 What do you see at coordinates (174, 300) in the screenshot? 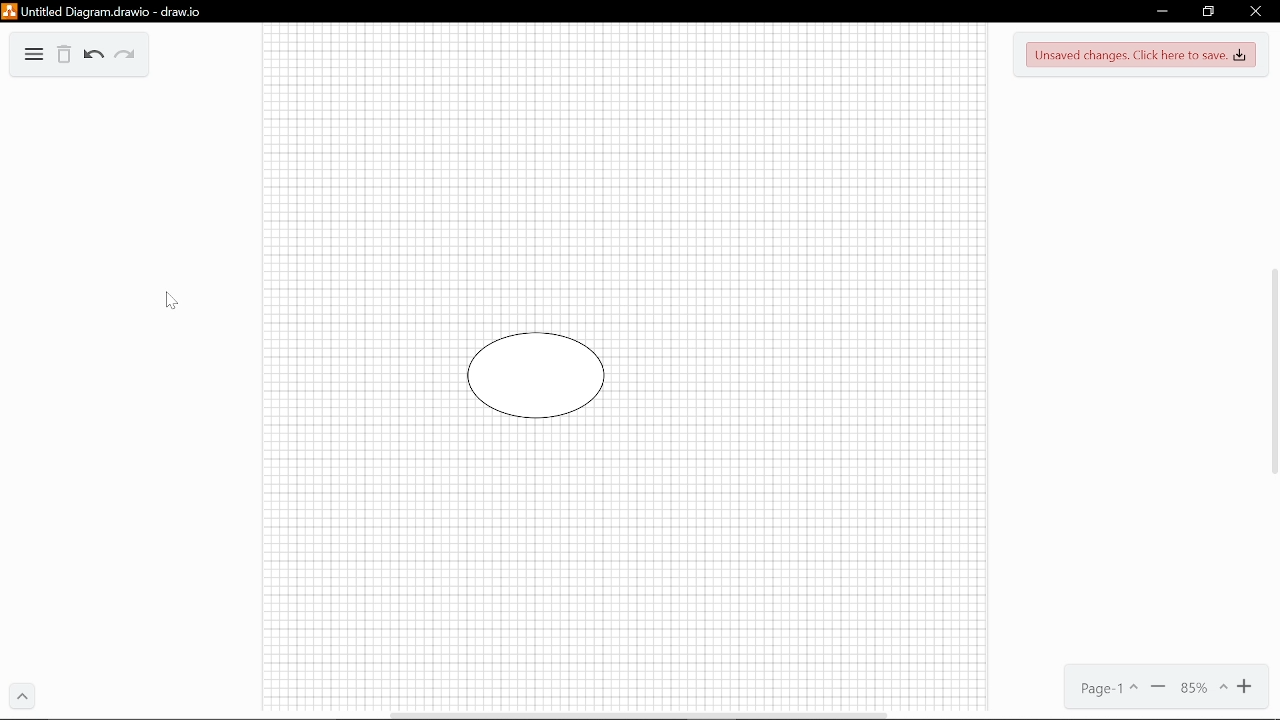
I see `Pointer` at bounding box center [174, 300].